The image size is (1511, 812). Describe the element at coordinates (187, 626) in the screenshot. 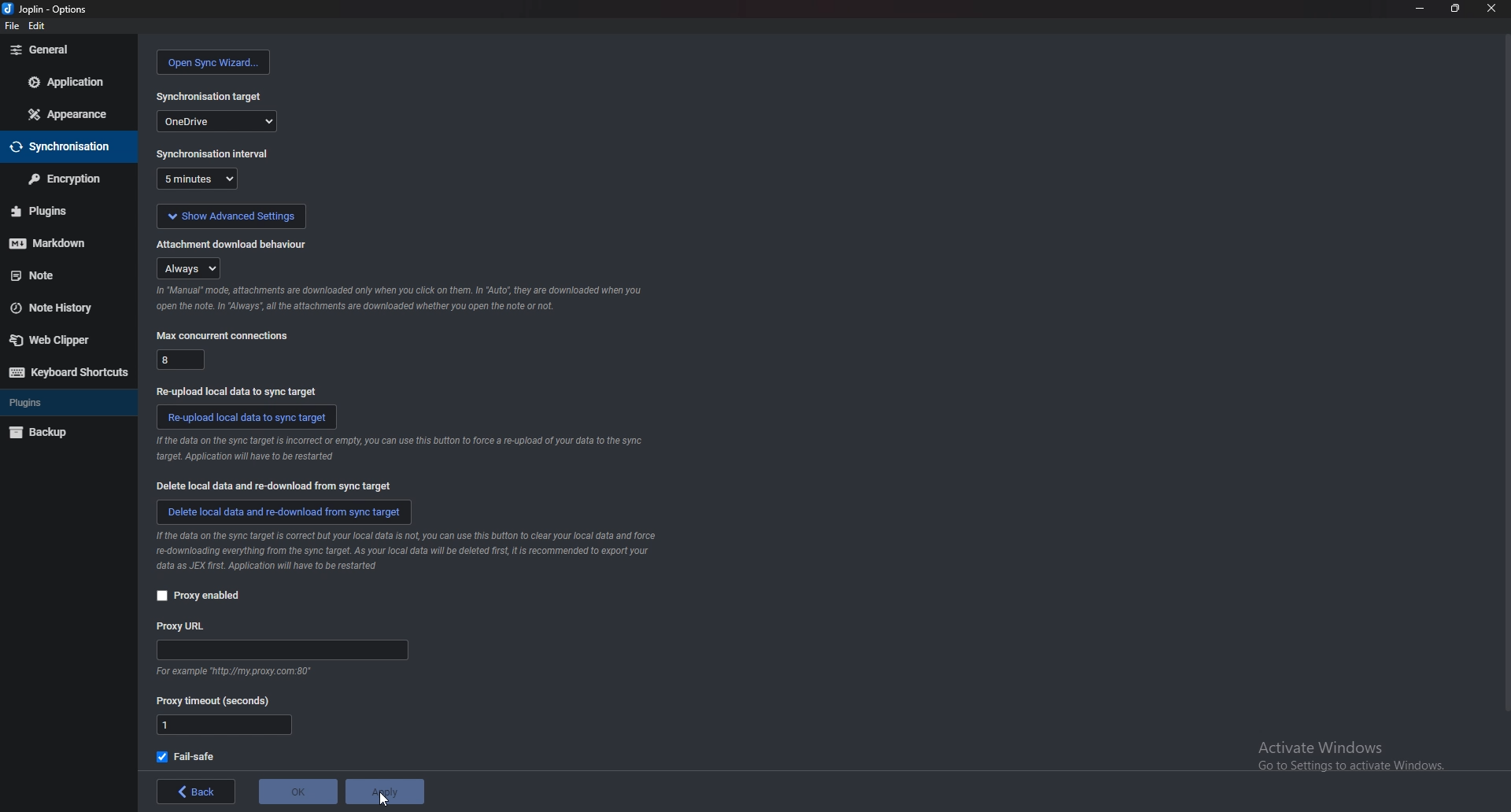

I see `proxy url` at that location.